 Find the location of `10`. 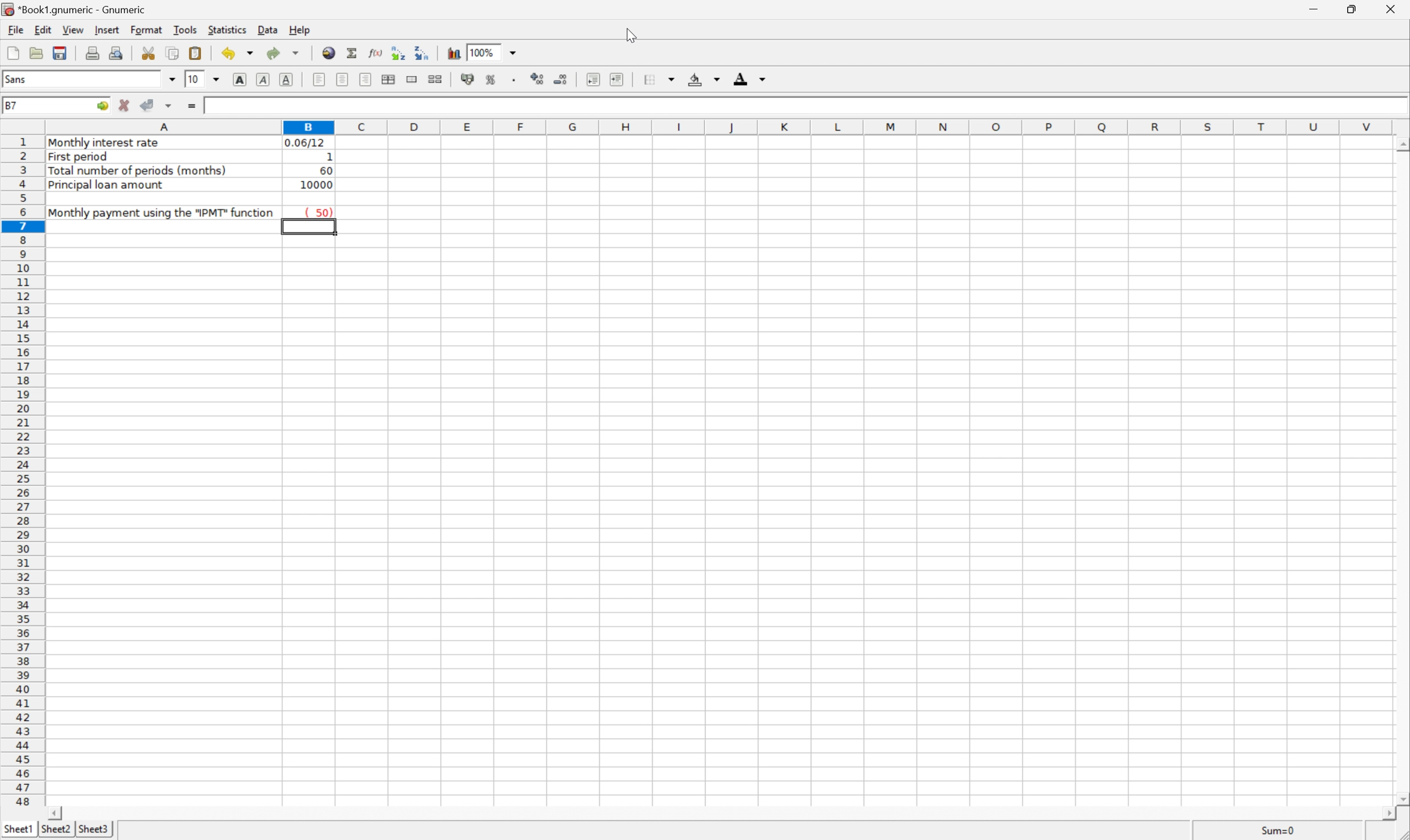

10 is located at coordinates (193, 79).